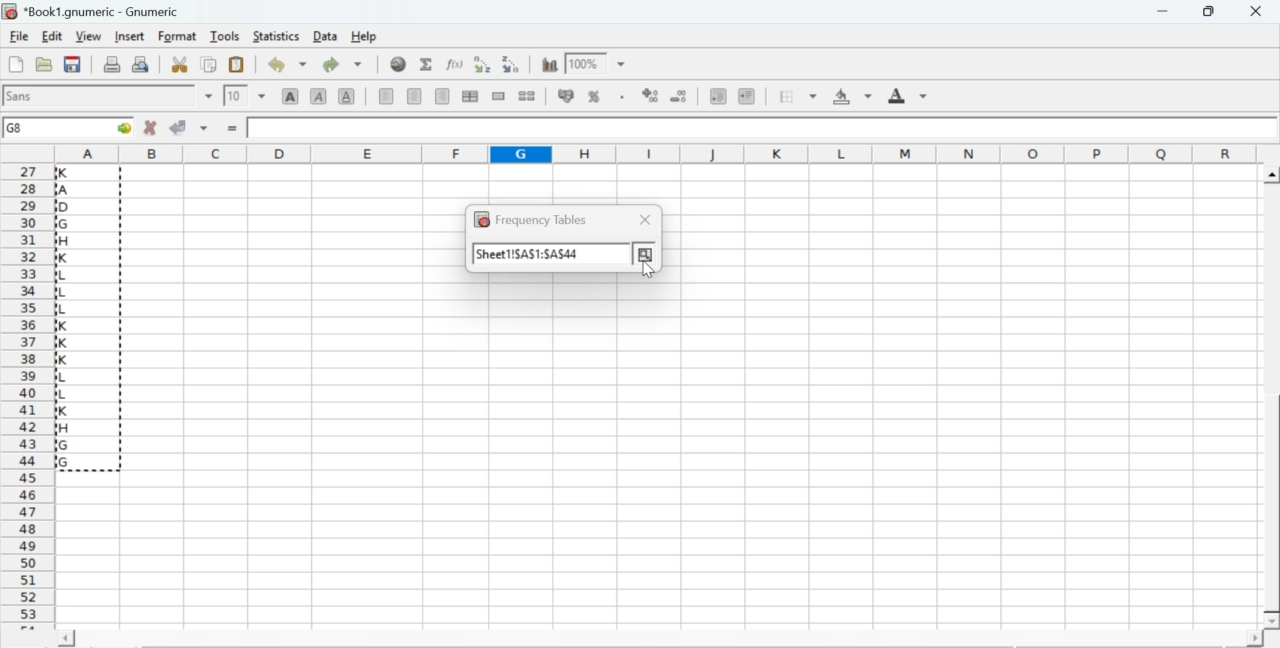 Image resolution: width=1280 pixels, height=648 pixels. I want to click on edit function in current cell, so click(456, 63).